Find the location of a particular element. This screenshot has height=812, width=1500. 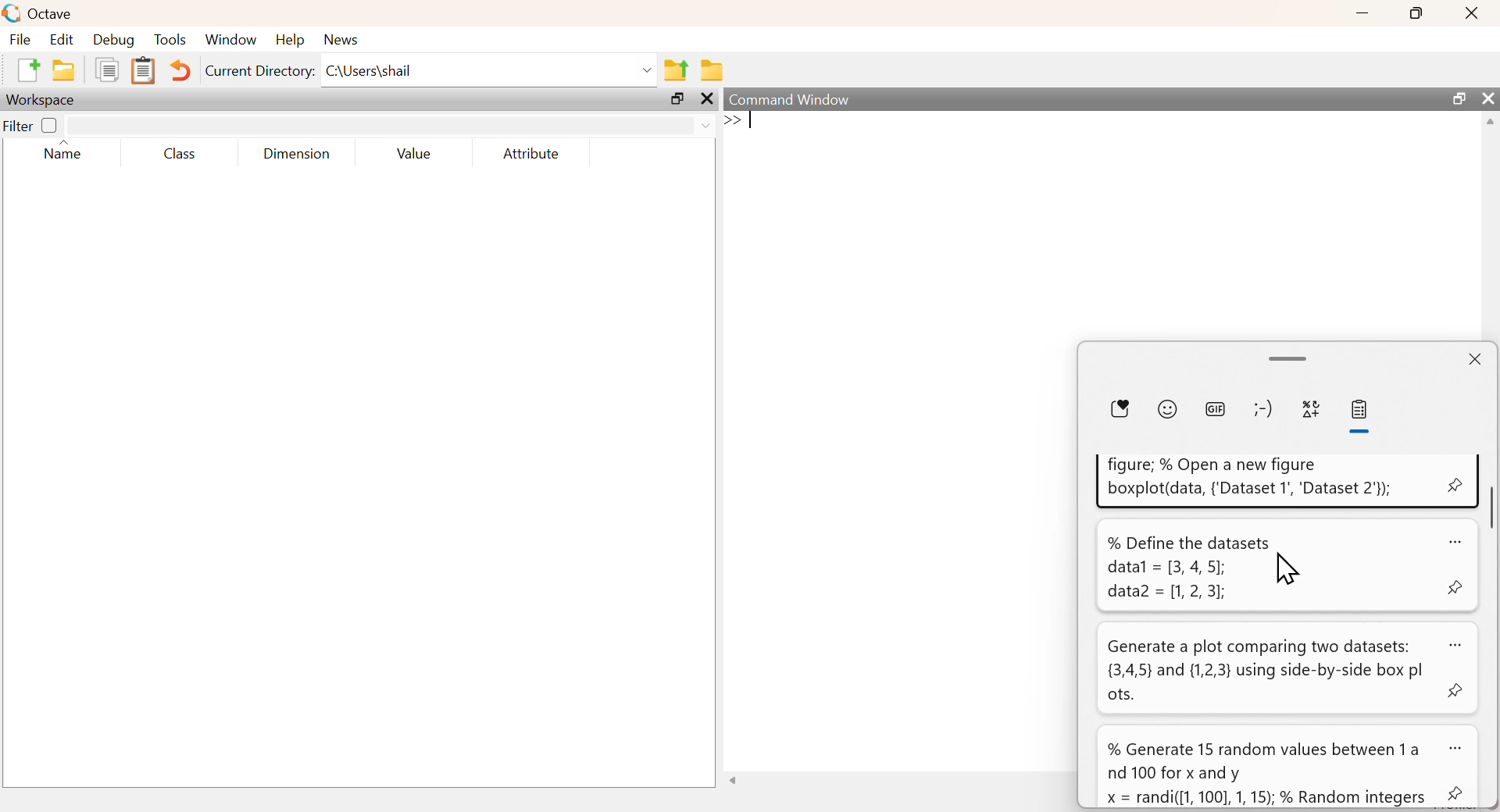

Previous Folder is located at coordinates (677, 70).